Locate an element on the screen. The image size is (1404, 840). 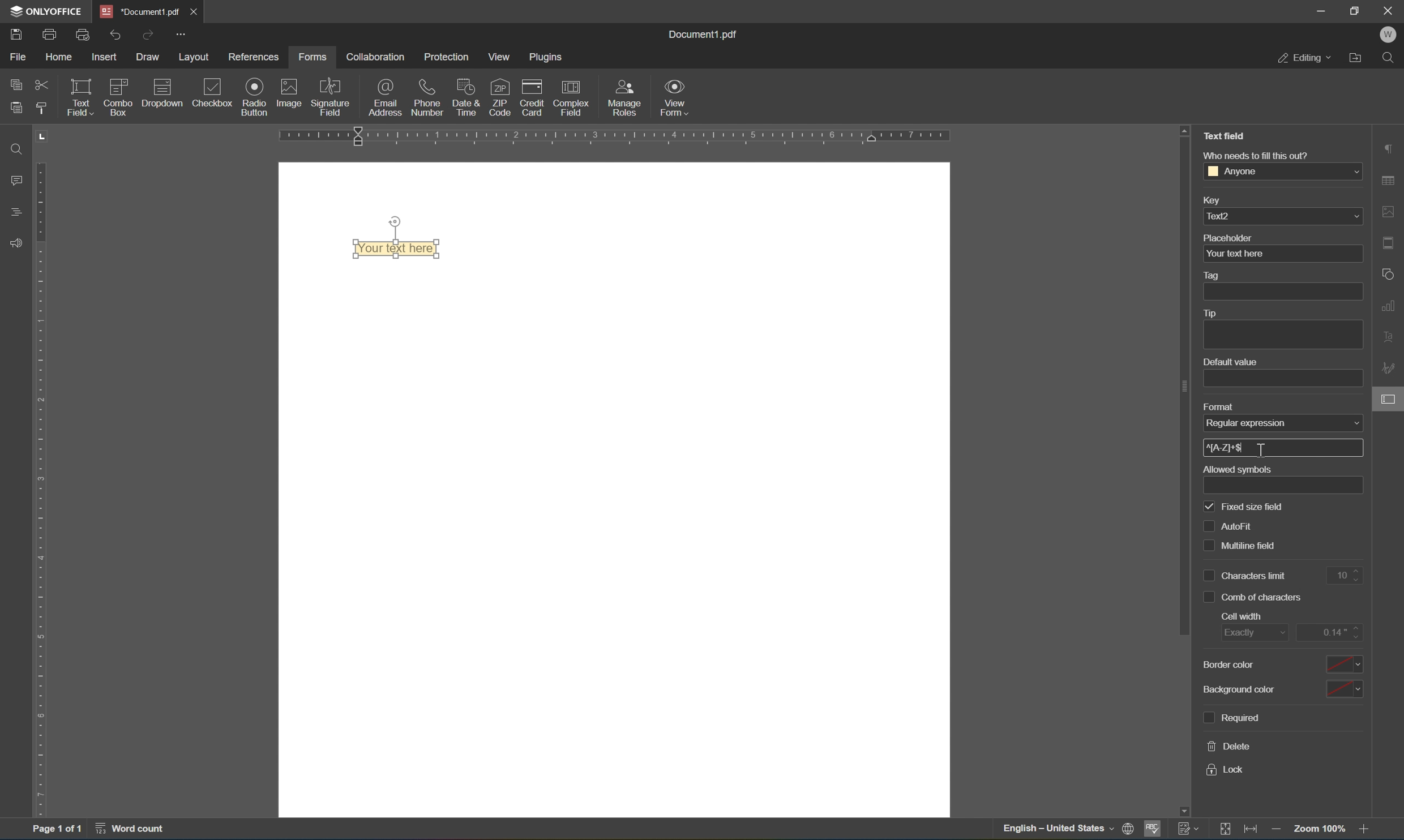
background color is located at coordinates (1238, 688).